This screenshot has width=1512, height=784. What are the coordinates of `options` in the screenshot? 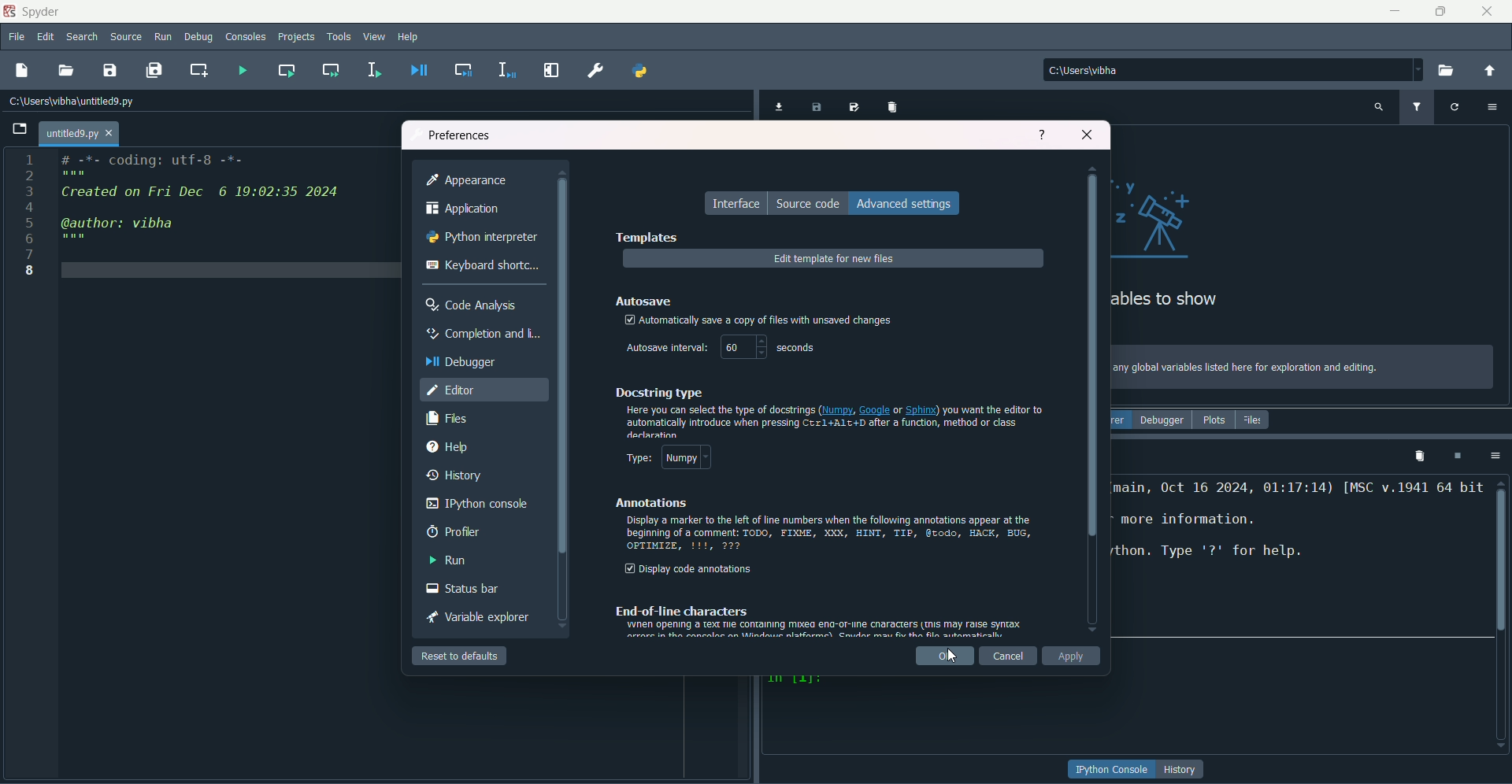 It's located at (1495, 105).